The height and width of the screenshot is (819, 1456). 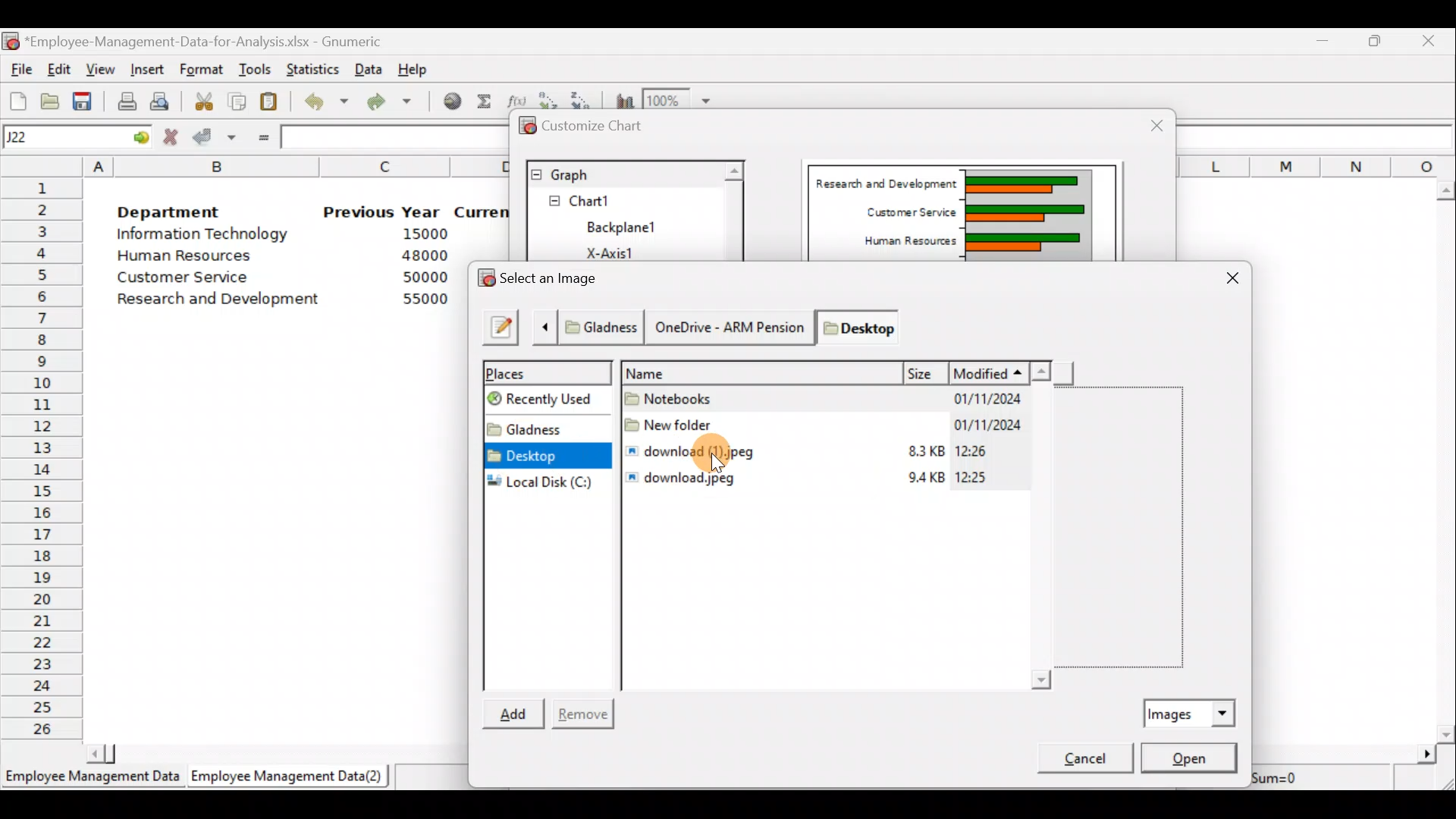 I want to click on Print current file, so click(x=124, y=99).